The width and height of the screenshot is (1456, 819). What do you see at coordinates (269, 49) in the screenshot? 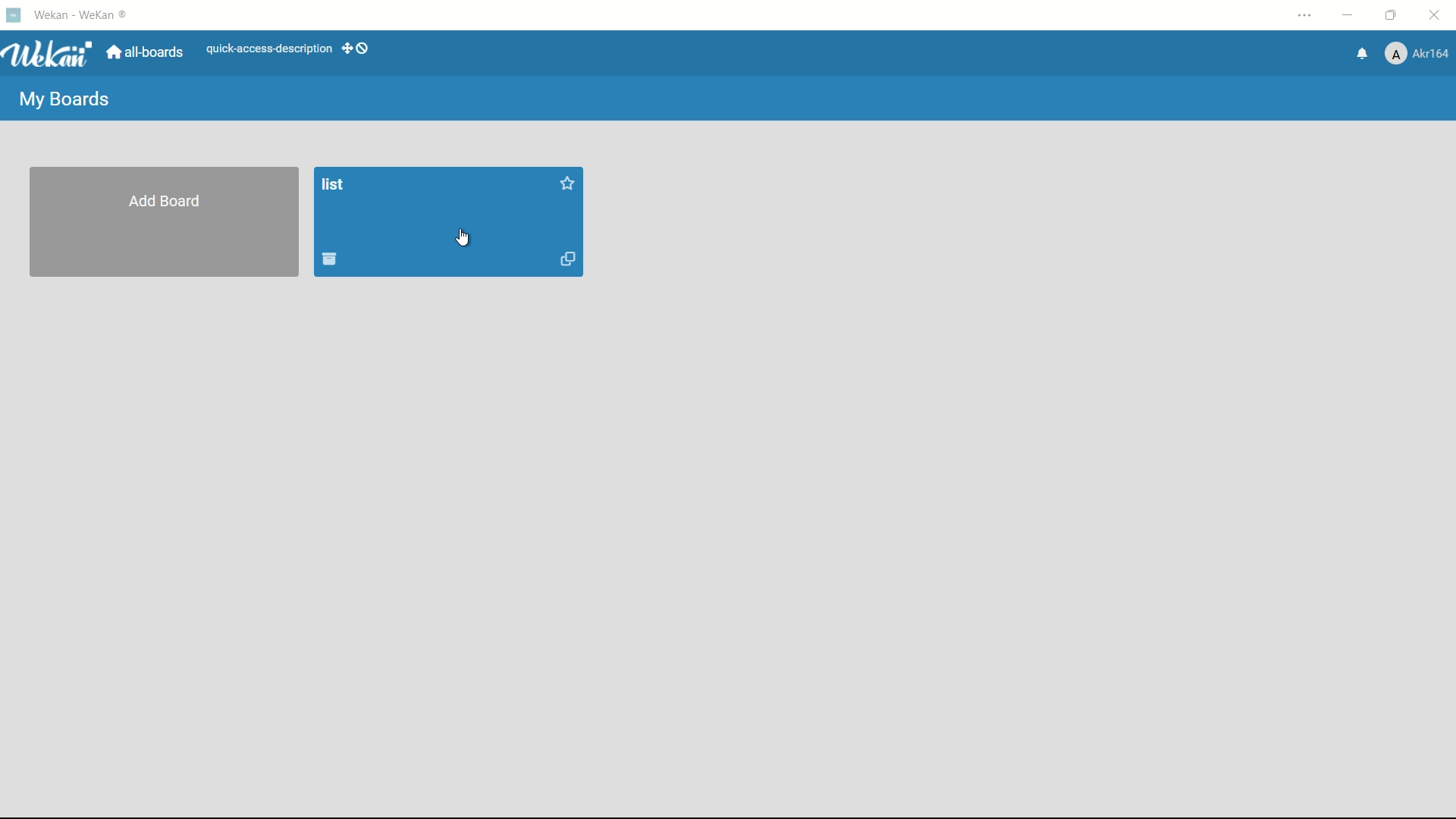
I see `quick-access-description` at bounding box center [269, 49].